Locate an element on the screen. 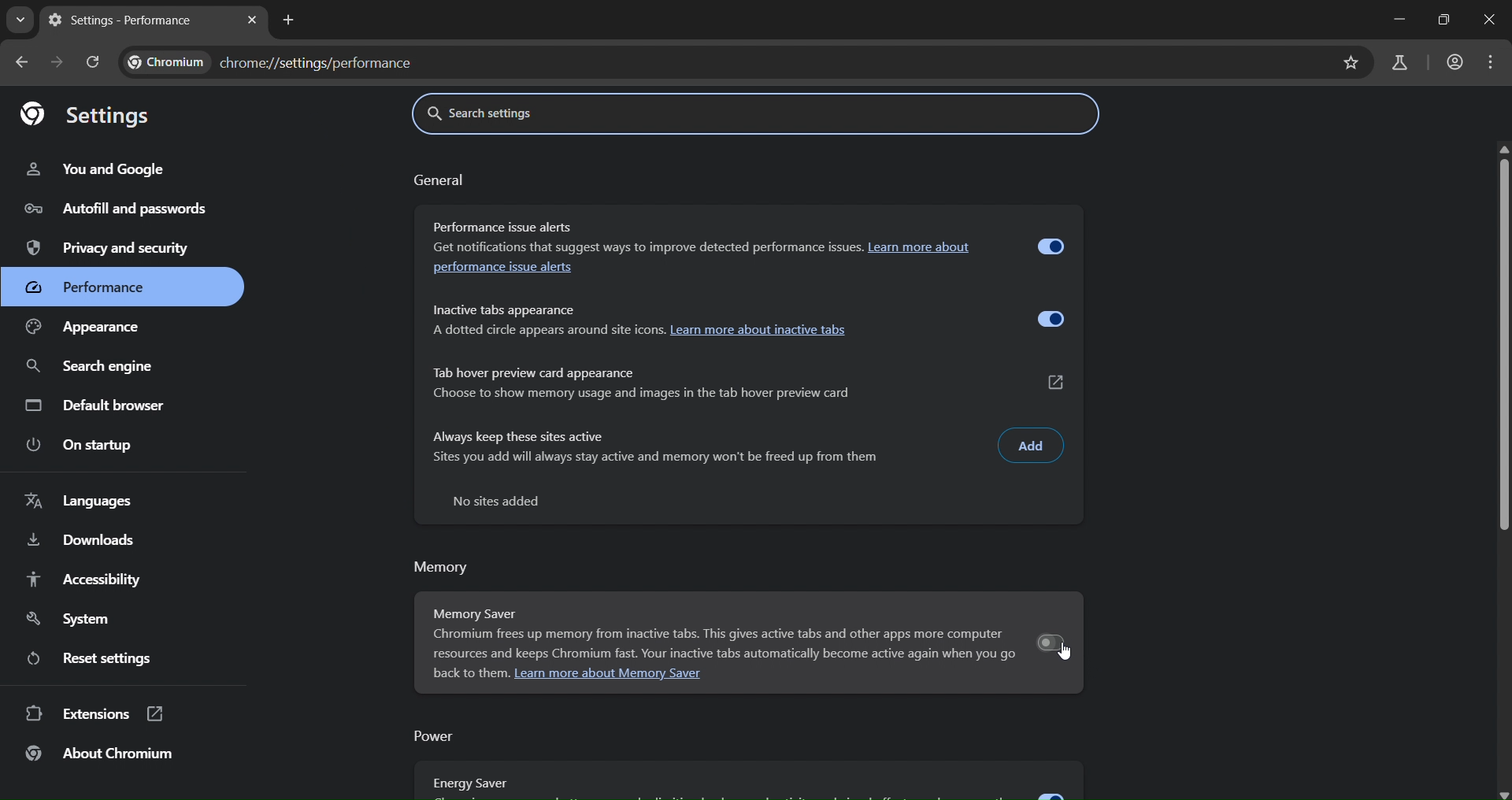 The width and height of the screenshot is (1512, 800). Settings is located at coordinates (86, 117).